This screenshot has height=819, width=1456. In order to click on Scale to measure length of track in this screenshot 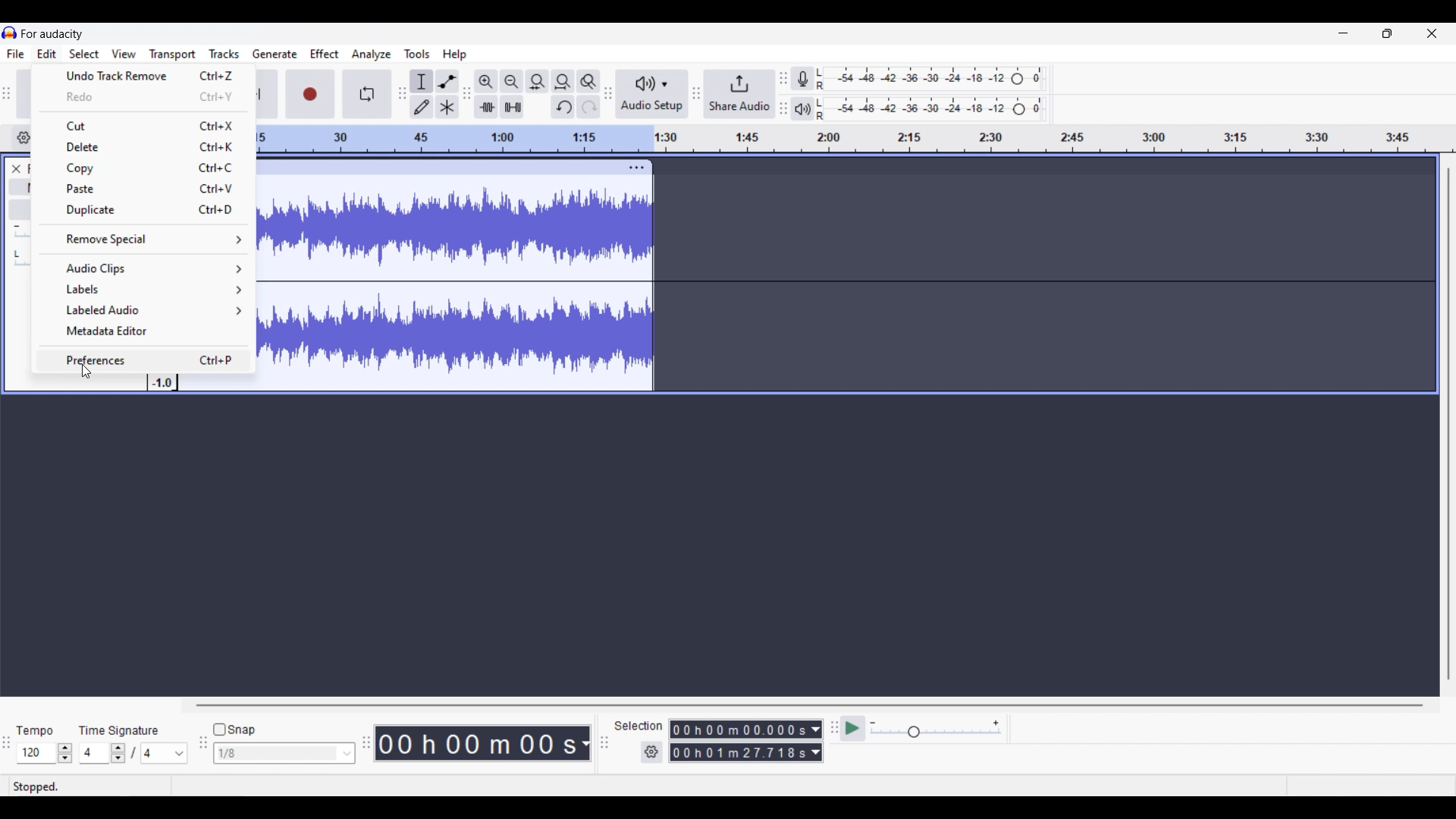, I will do `click(857, 139)`.